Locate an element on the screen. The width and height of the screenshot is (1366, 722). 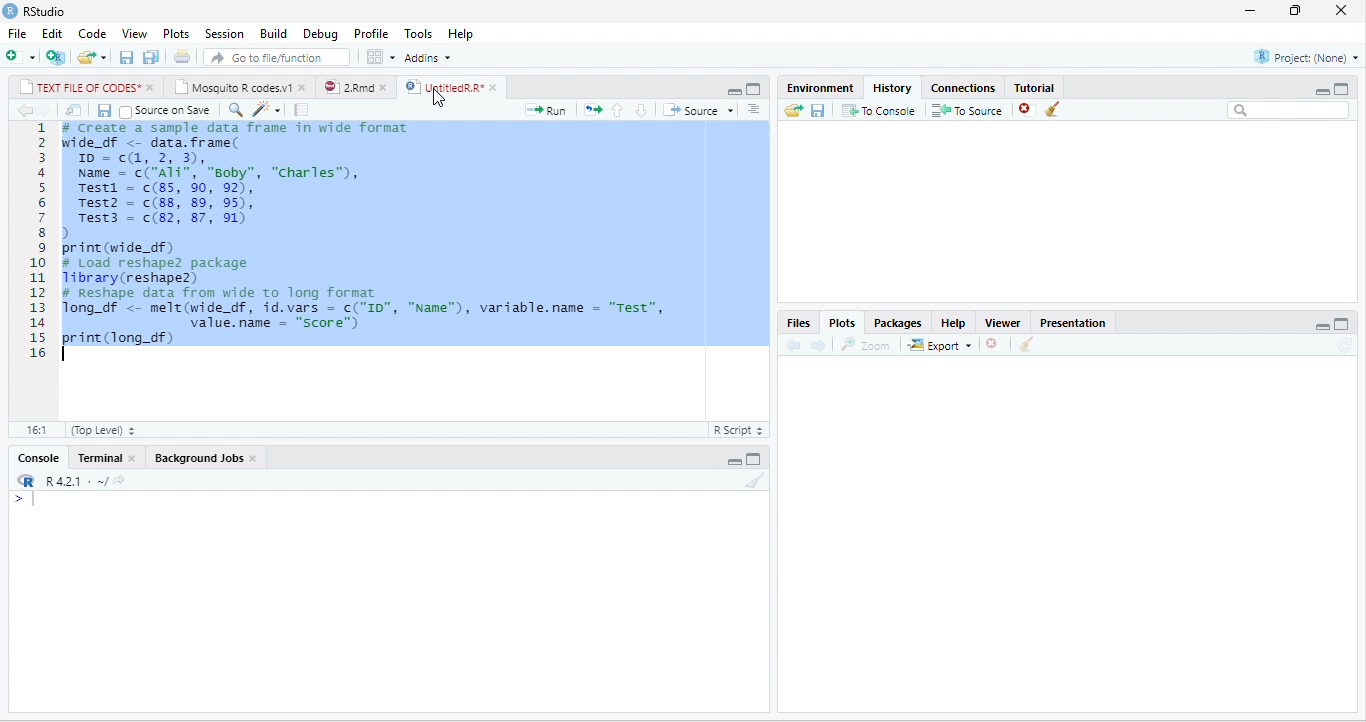
down is located at coordinates (757, 112).